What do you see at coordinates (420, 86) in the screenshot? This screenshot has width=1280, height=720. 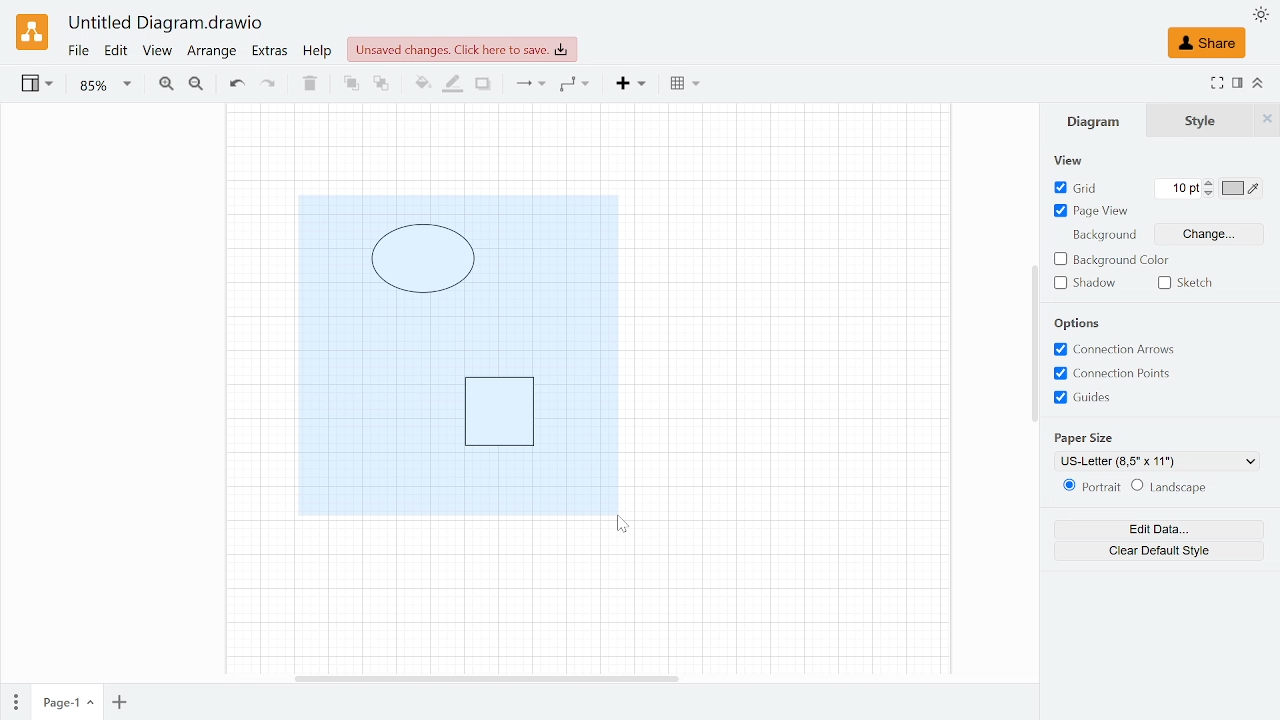 I see `Fill color` at bounding box center [420, 86].